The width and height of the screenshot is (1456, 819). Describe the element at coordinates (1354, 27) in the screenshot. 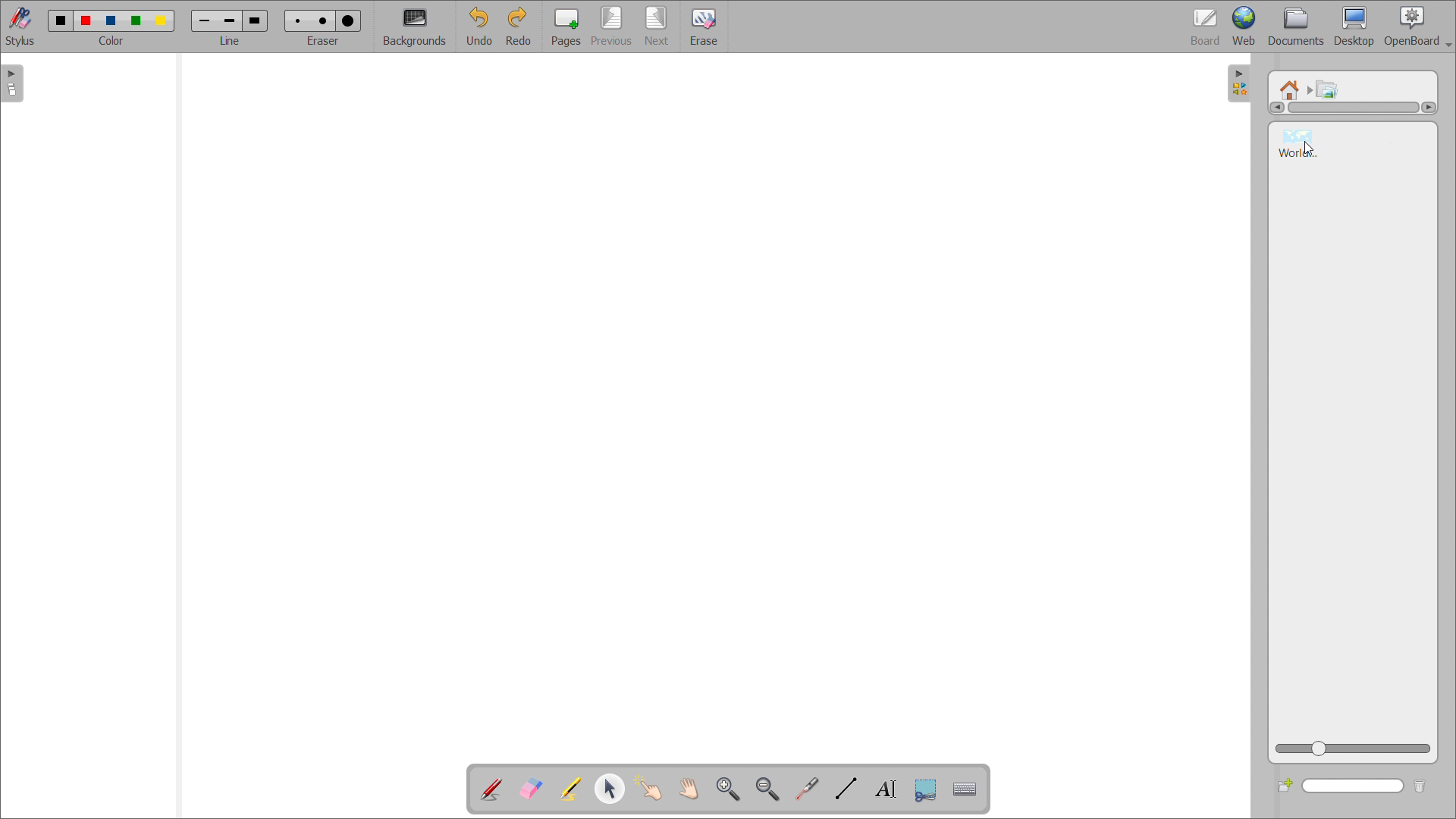

I see `desktop` at that location.